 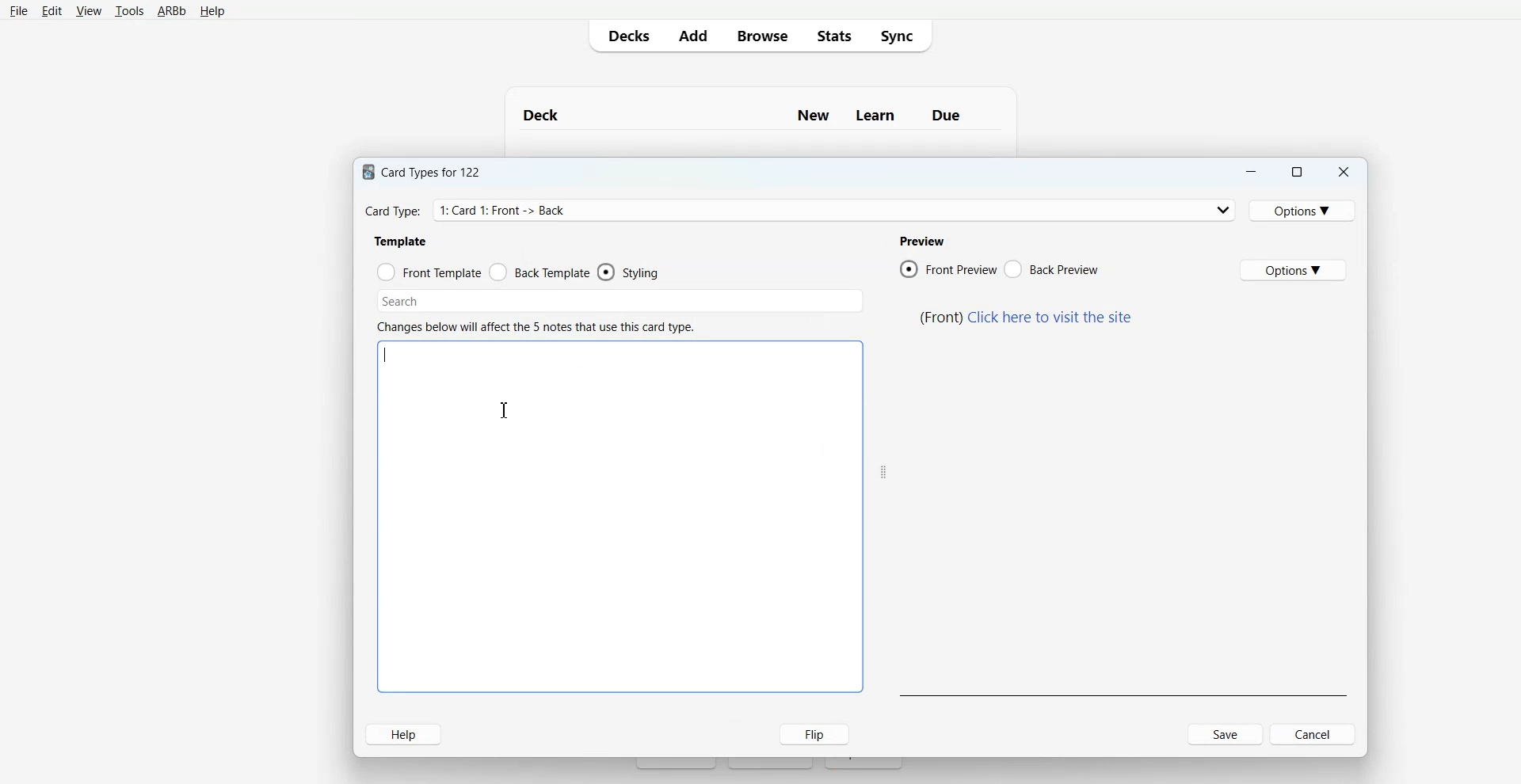 I want to click on text 5, so click(x=1027, y=317).